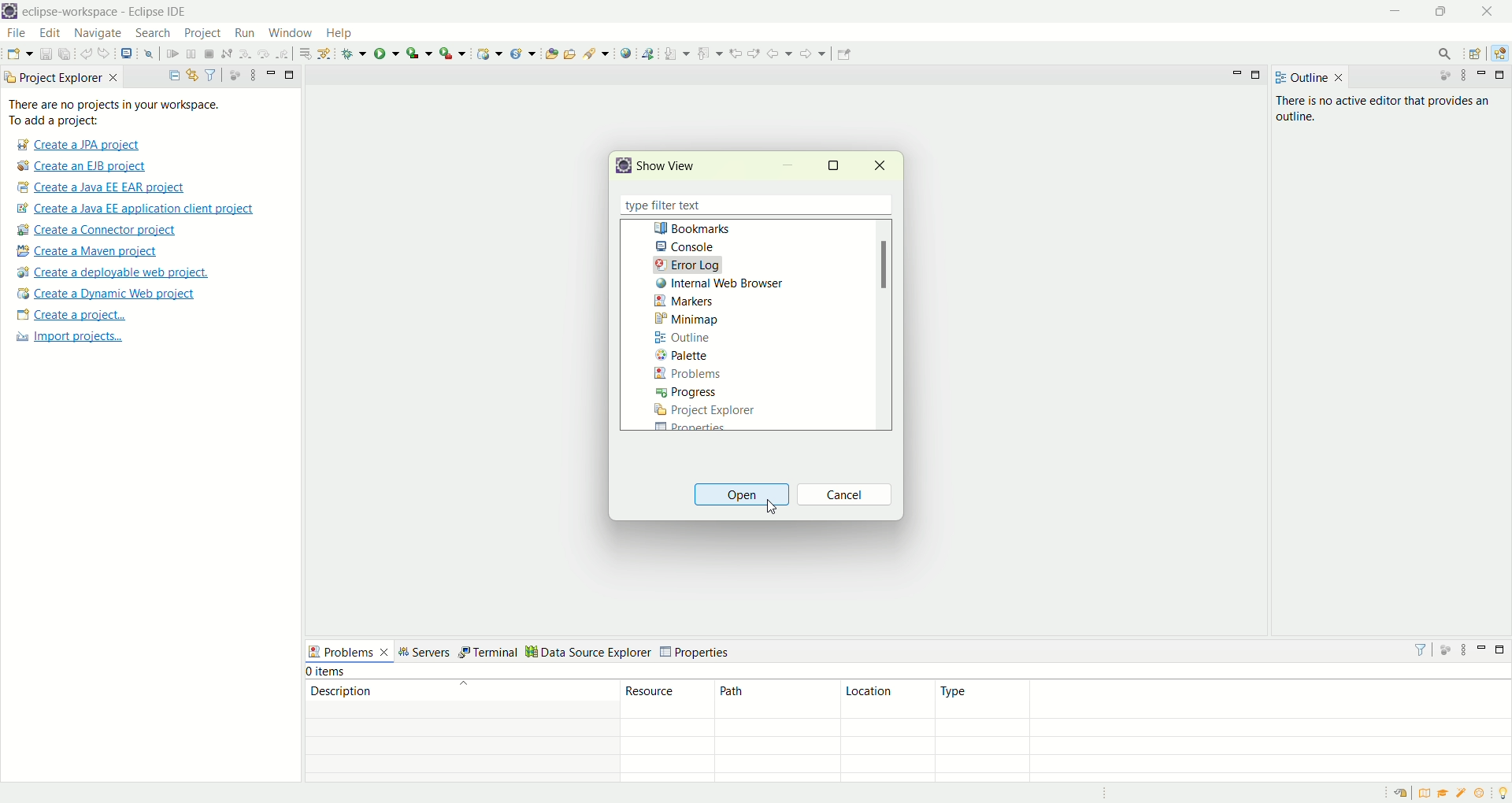 The width and height of the screenshot is (1512, 803). I want to click on drop to frame, so click(302, 54).